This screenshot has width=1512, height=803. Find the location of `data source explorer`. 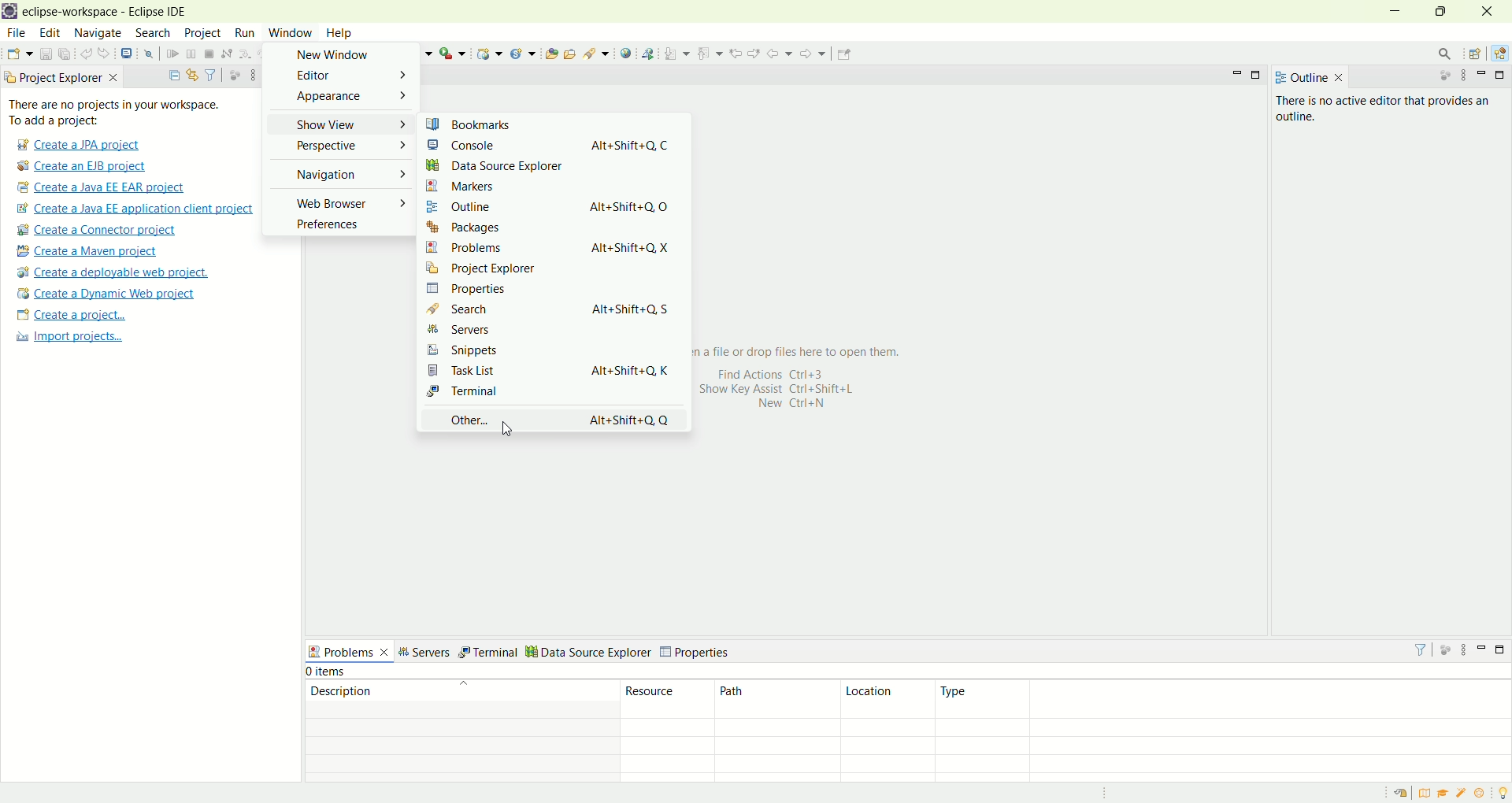

data source explorer is located at coordinates (587, 649).